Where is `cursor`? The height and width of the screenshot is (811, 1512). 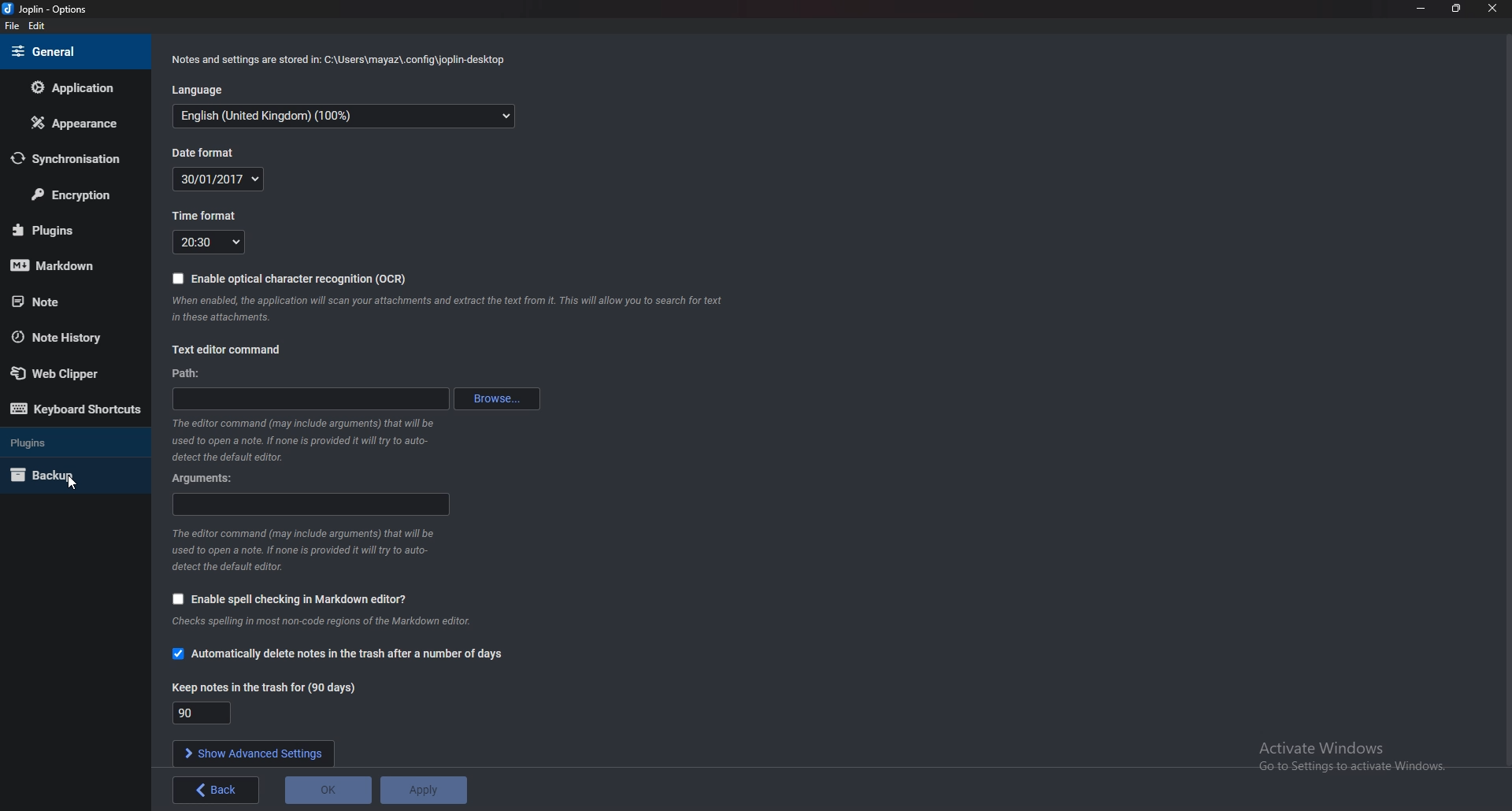
cursor is located at coordinates (72, 483).